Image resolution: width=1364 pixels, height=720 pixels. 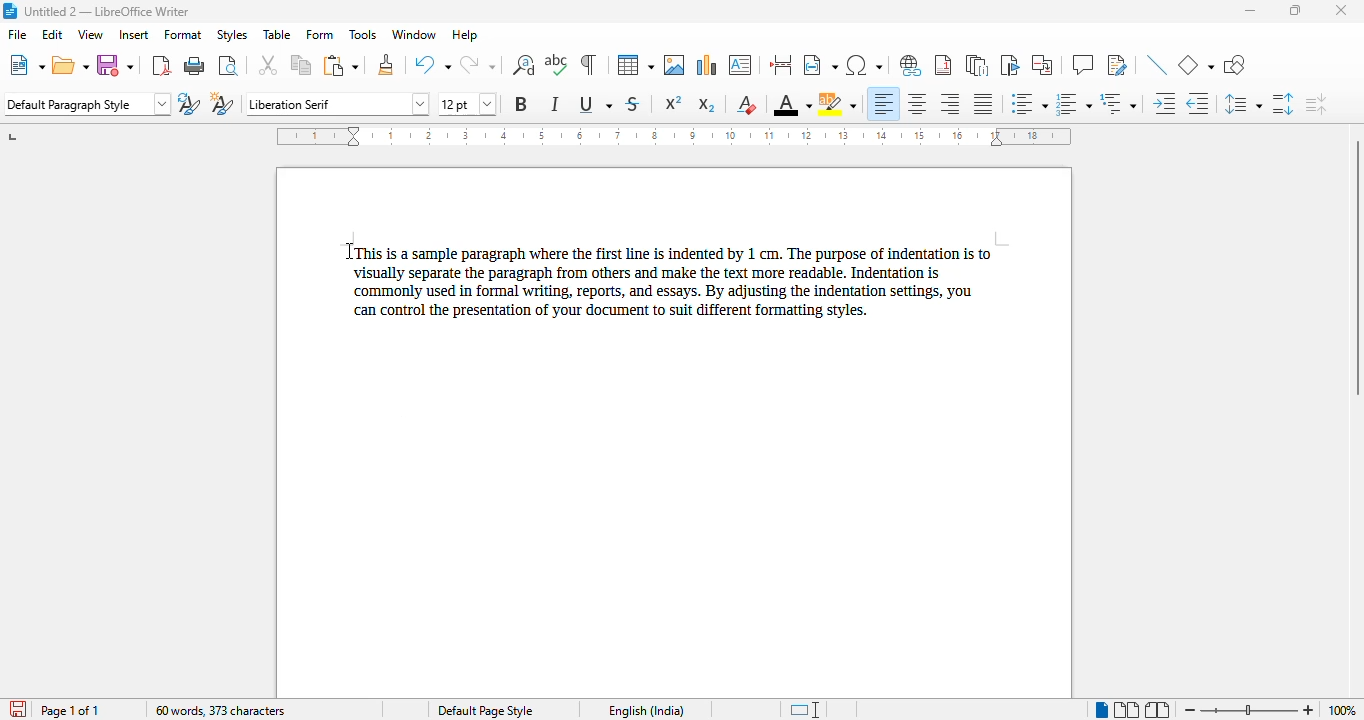 What do you see at coordinates (87, 104) in the screenshot?
I see `set page style` at bounding box center [87, 104].